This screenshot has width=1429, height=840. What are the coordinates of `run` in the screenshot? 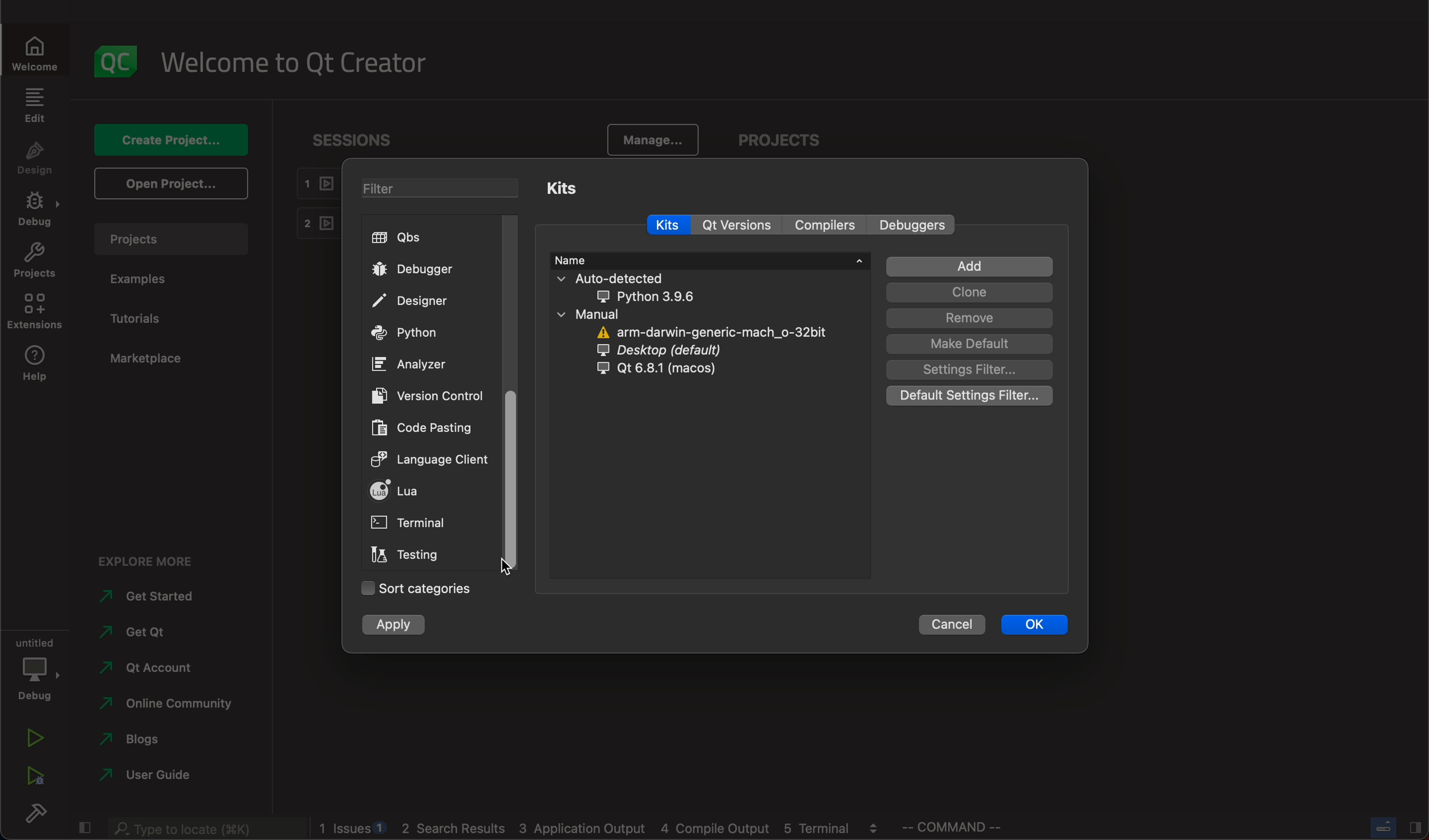 It's located at (36, 737).